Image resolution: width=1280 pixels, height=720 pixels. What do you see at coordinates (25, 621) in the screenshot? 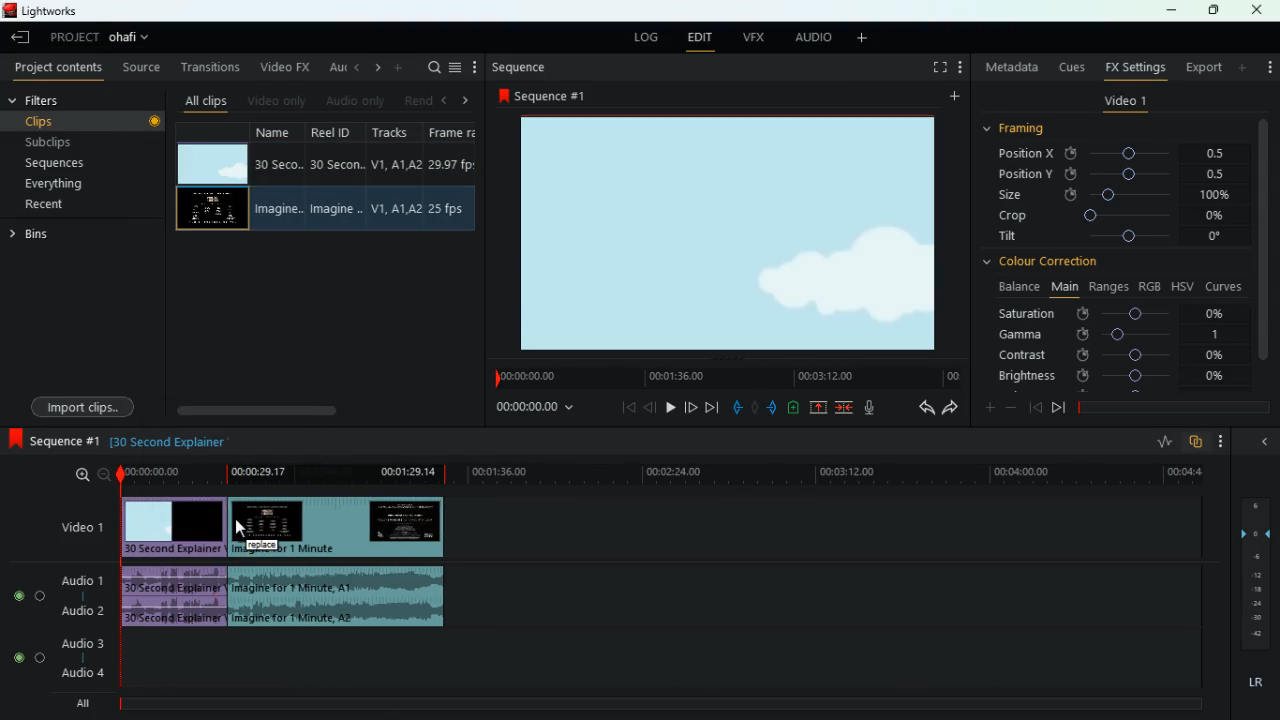
I see `radio button` at bounding box center [25, 621].